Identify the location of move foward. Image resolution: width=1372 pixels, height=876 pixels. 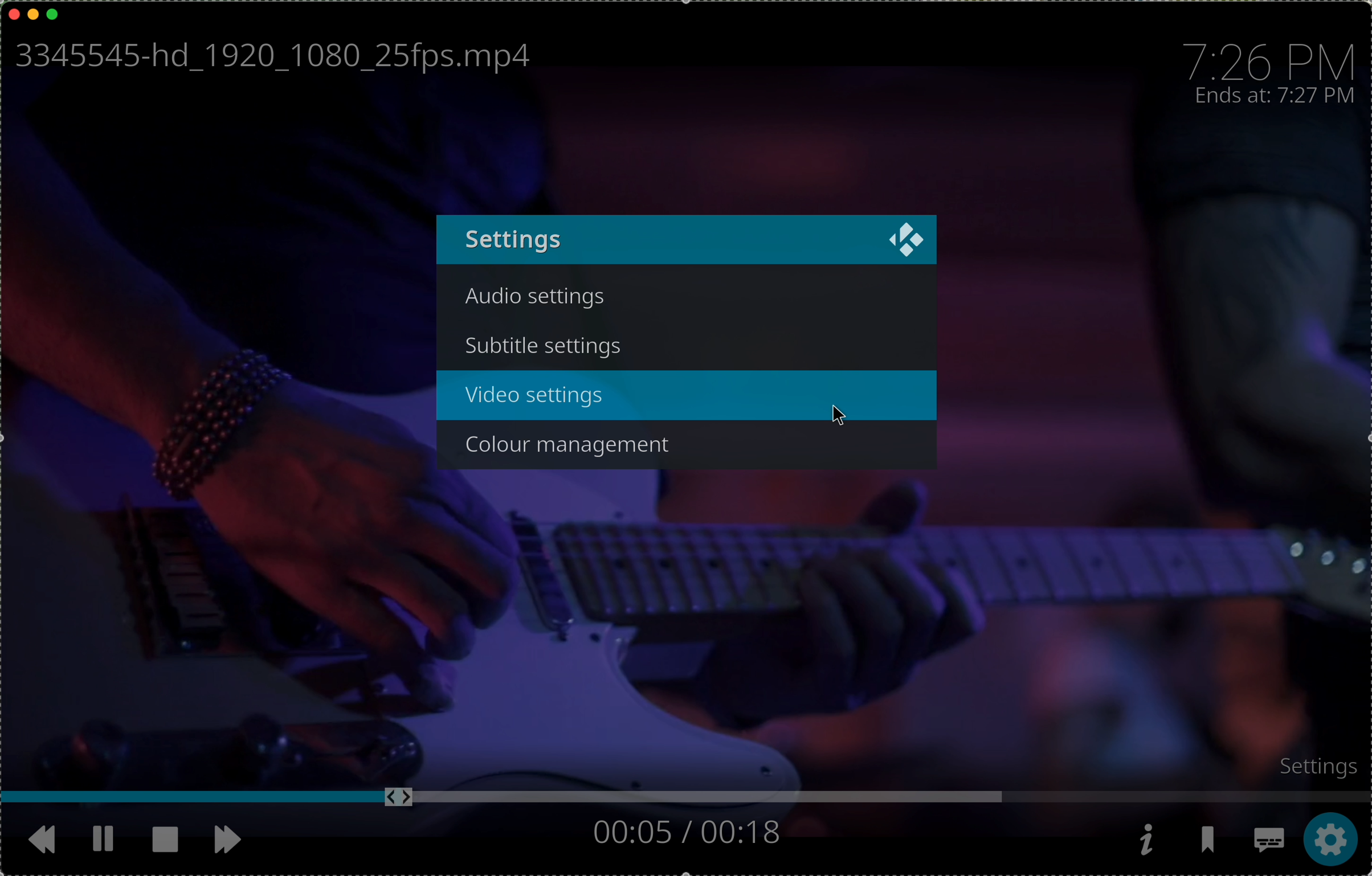
(231, 842).